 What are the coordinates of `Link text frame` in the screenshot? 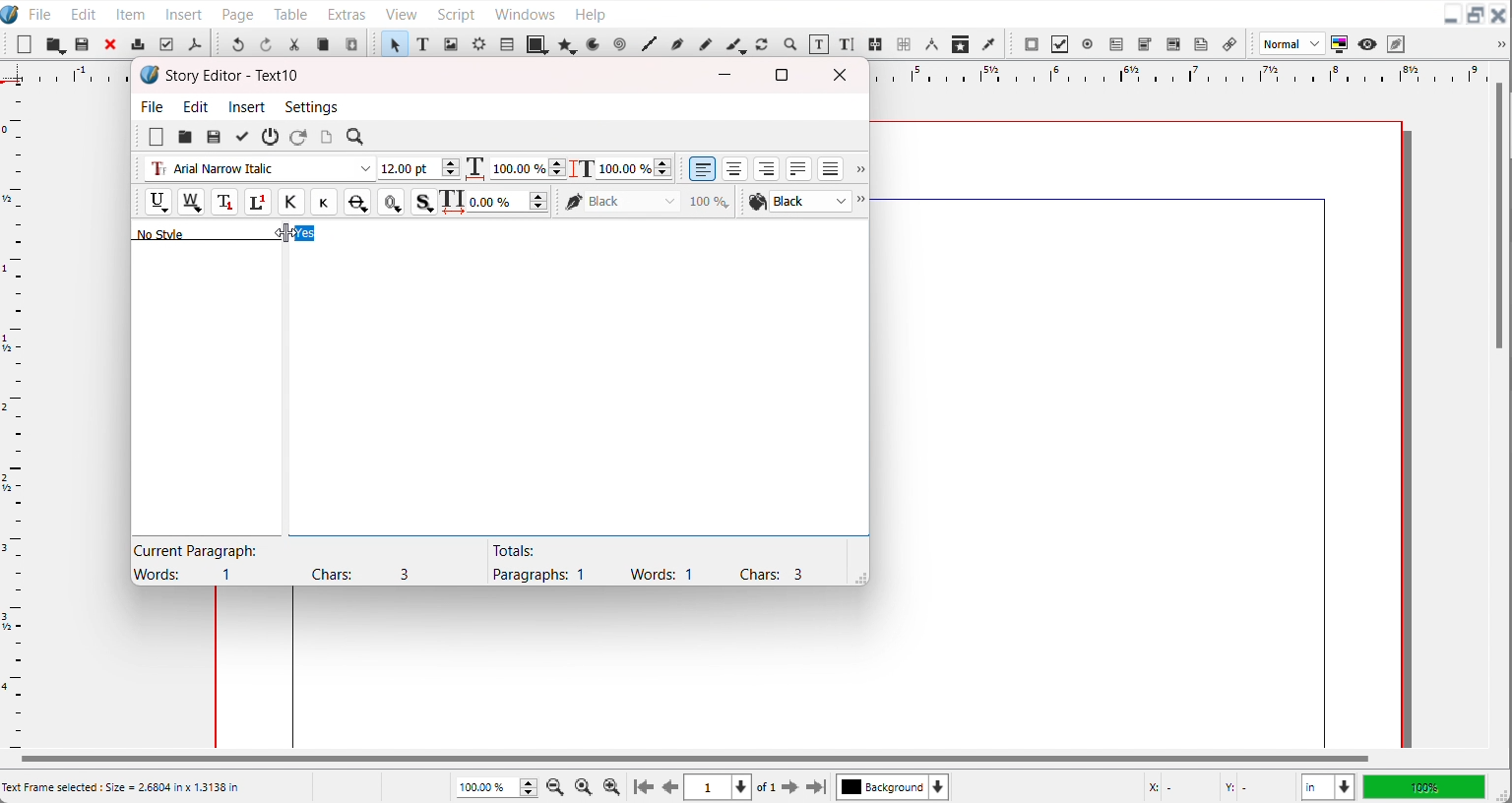 It's located at (876, 45).